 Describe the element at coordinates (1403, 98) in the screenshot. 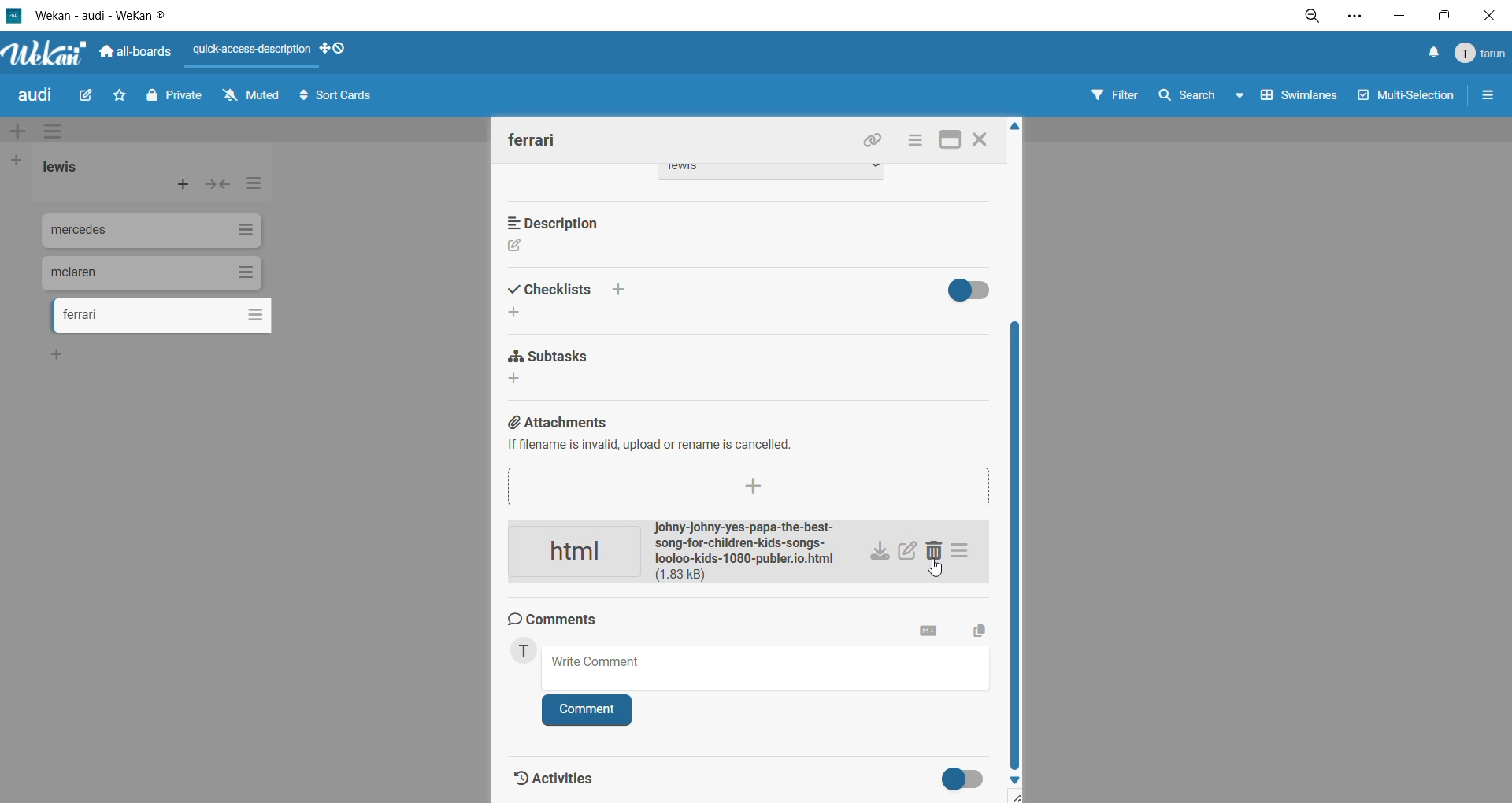

I see `multiselections` at that location.